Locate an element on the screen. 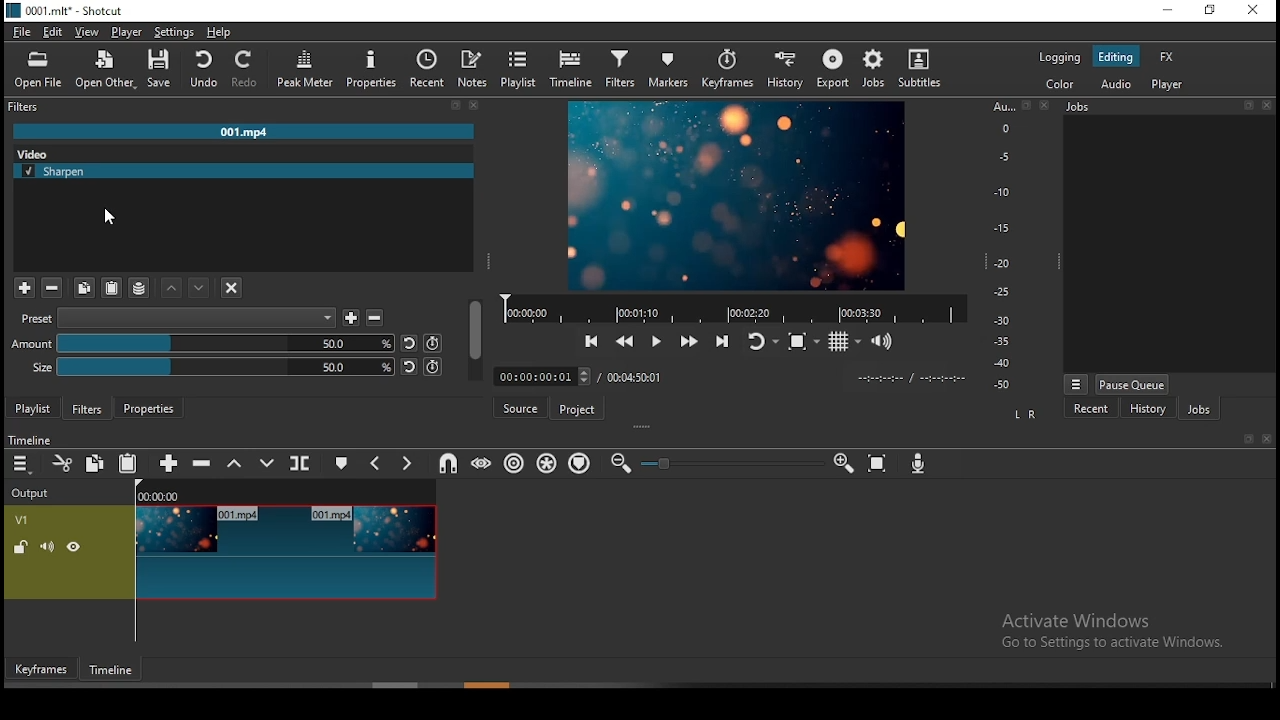 The width and height of the screenshot is (1280, 720). skip to next point is located at coordinates (723, 334).